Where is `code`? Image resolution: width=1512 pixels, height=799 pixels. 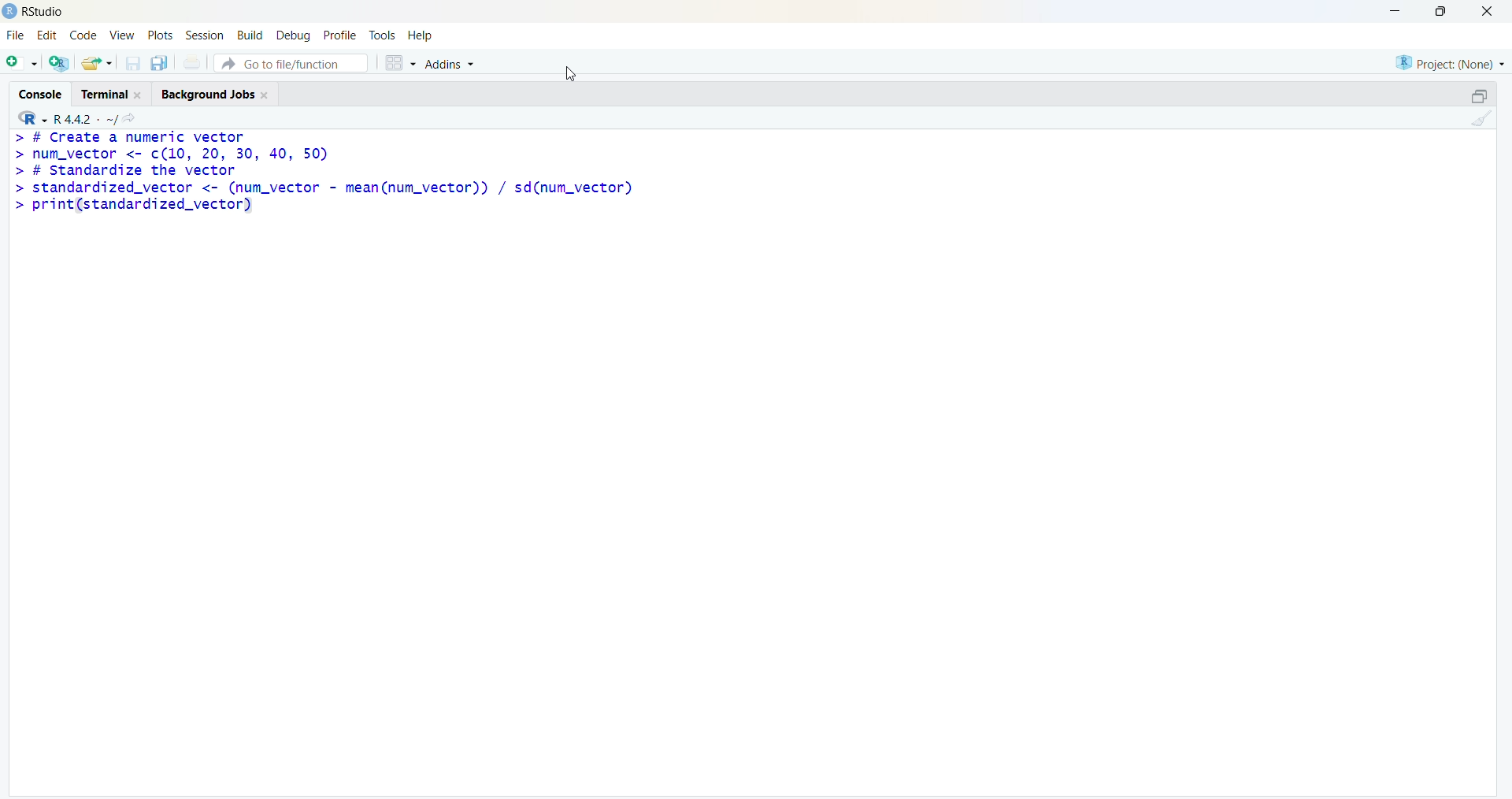
code is located at coordinates (83, 35).